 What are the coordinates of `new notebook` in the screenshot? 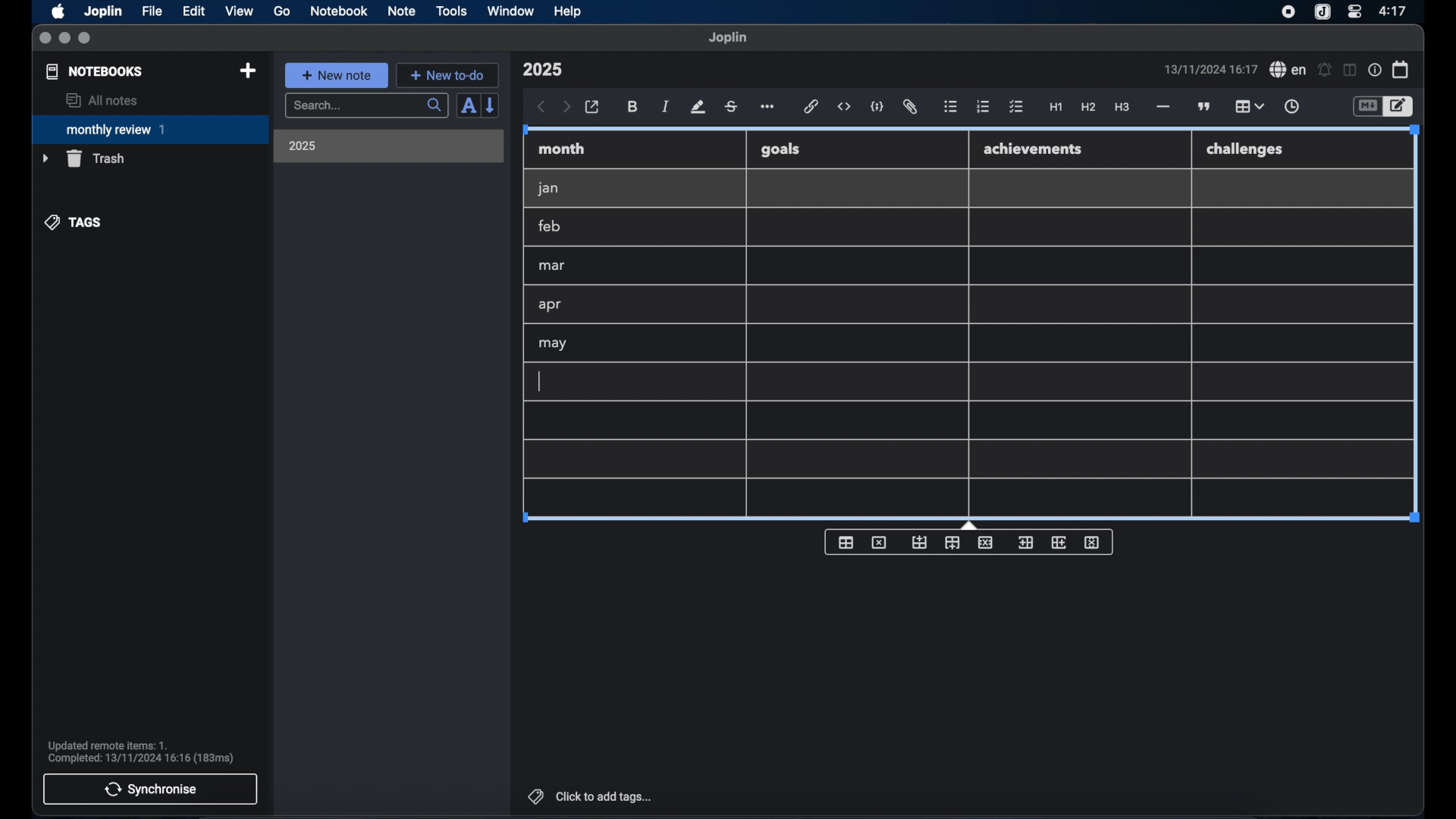 It's located at (247, 71).